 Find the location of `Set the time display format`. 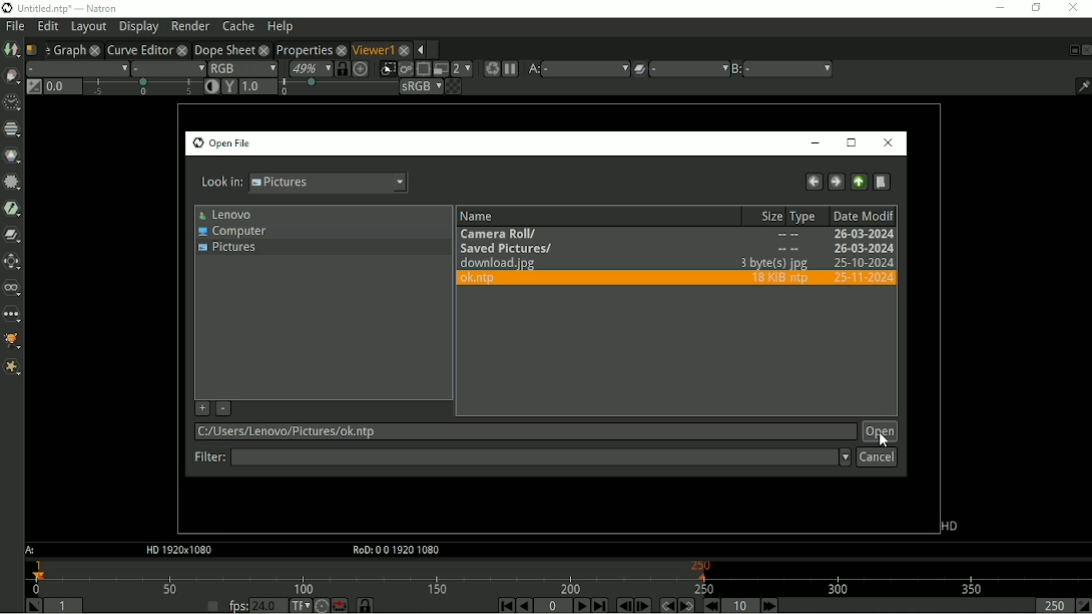

Set the time display format is located at coordinates (299, 604).